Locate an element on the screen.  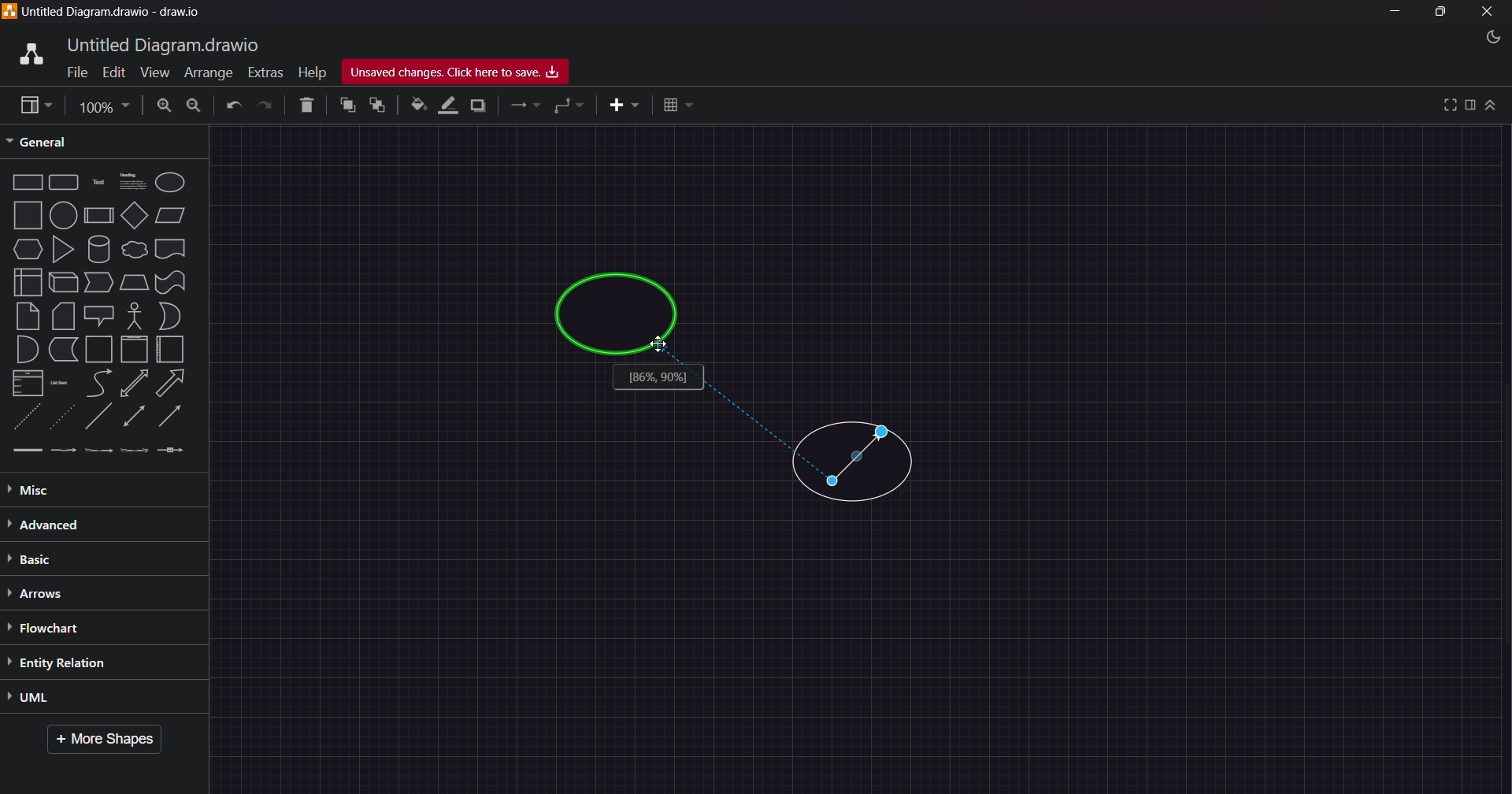
Title is located at coordinates (118, 13).